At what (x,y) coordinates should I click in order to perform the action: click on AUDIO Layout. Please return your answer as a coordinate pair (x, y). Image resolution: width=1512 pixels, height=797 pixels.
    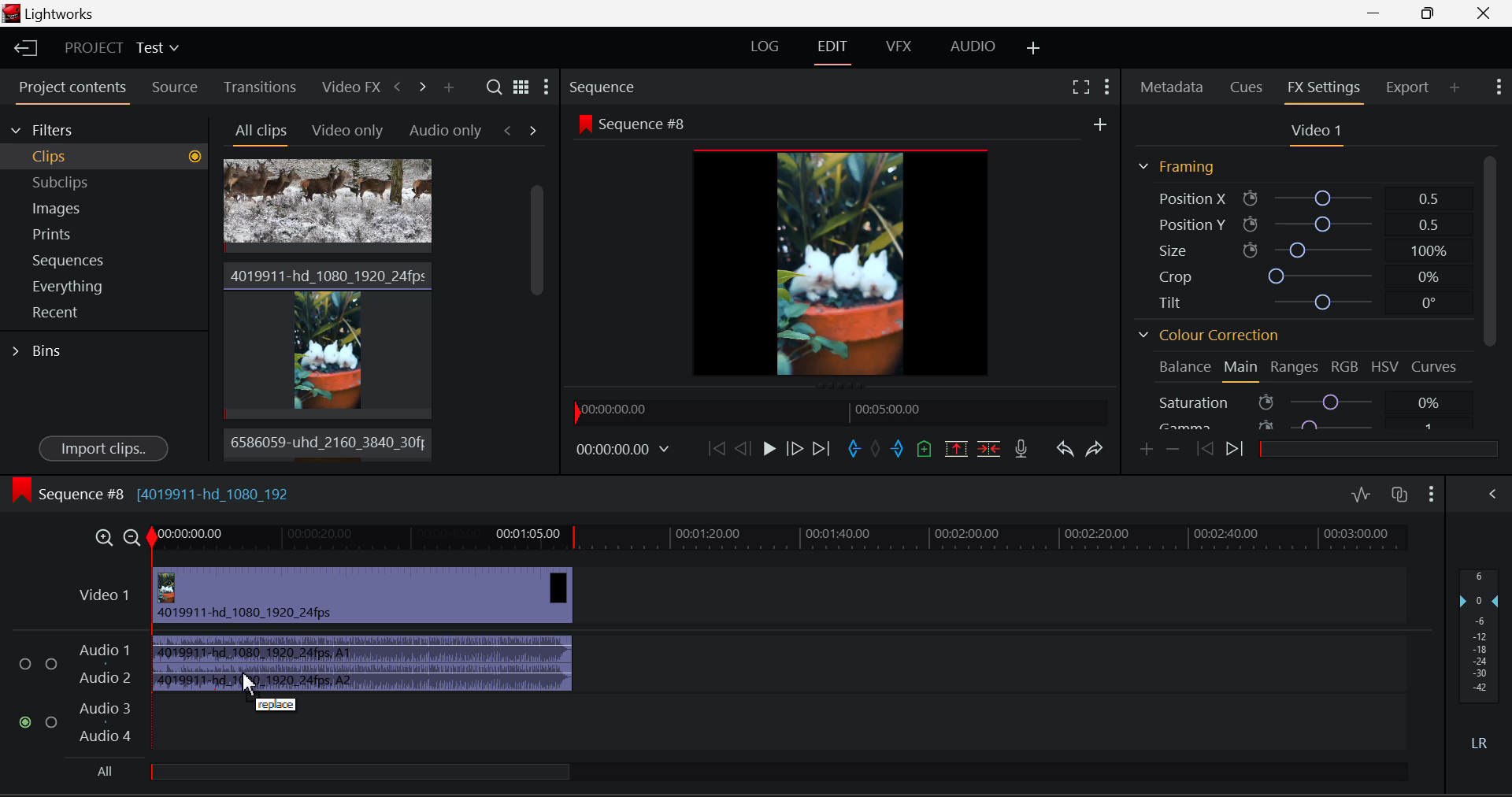
    Looking at the image, I should click on (973, 46).